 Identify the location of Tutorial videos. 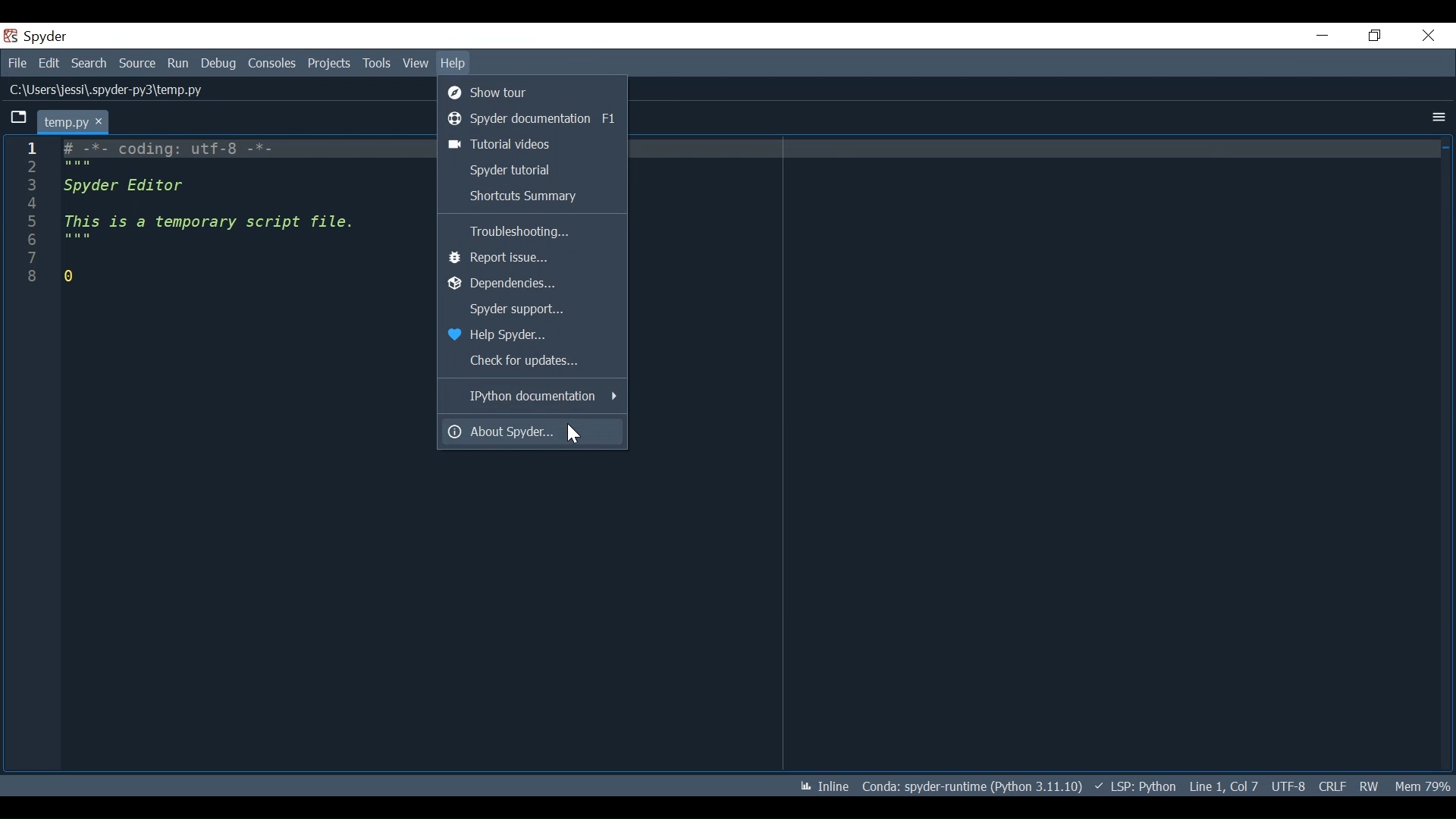
(534, 145).